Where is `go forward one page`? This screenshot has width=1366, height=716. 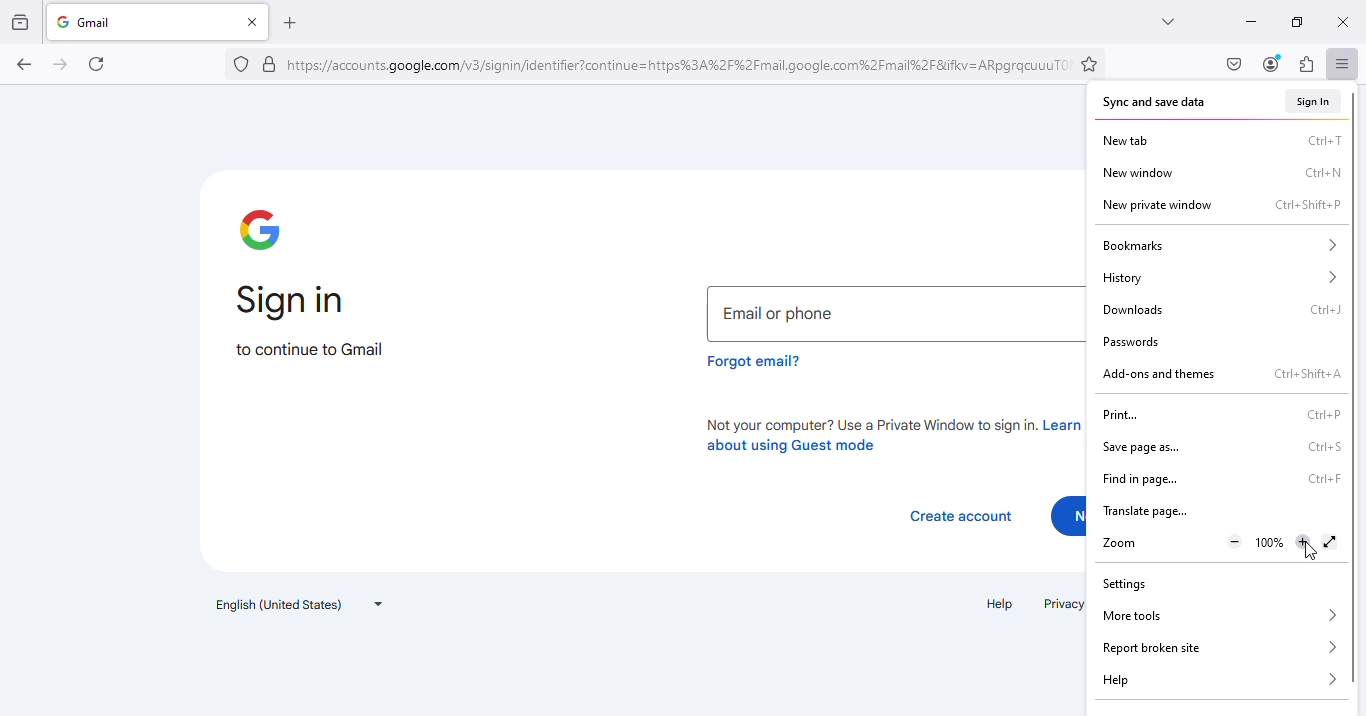
go forward one page is located at coordinates (61, 65).